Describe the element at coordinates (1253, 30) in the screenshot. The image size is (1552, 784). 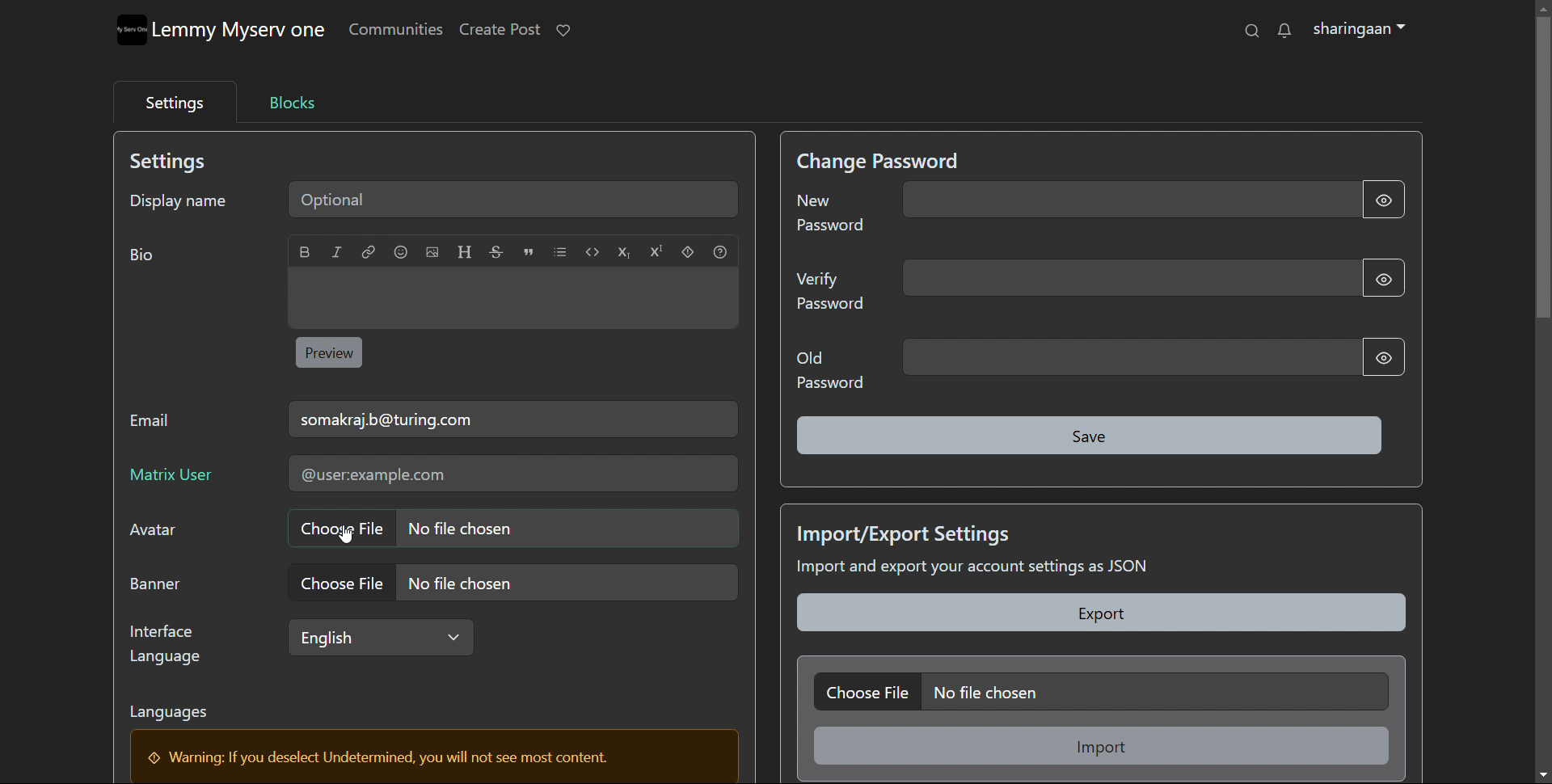
I see `search` at that location.